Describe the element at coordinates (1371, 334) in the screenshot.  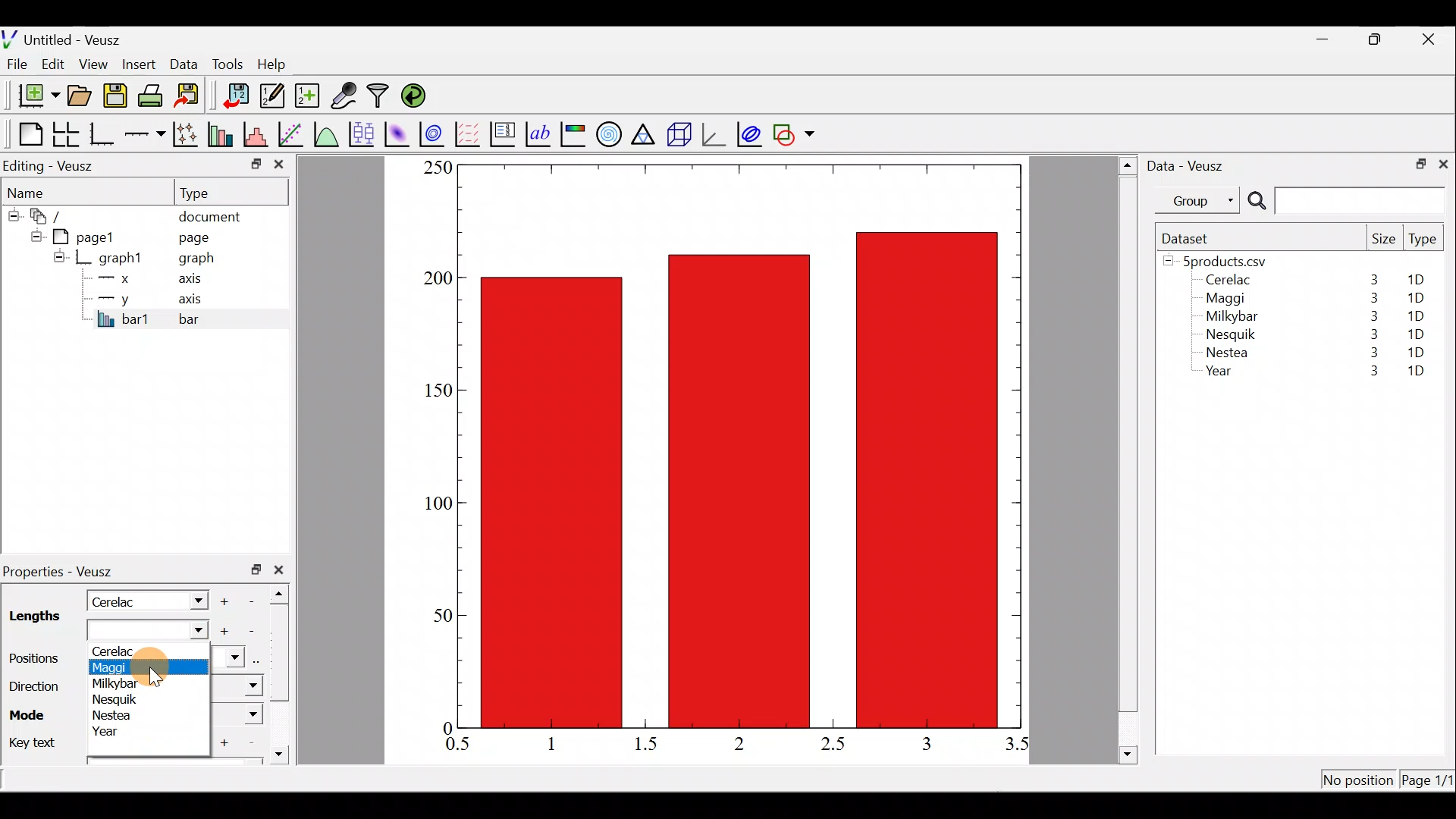
I see `3` at that location.